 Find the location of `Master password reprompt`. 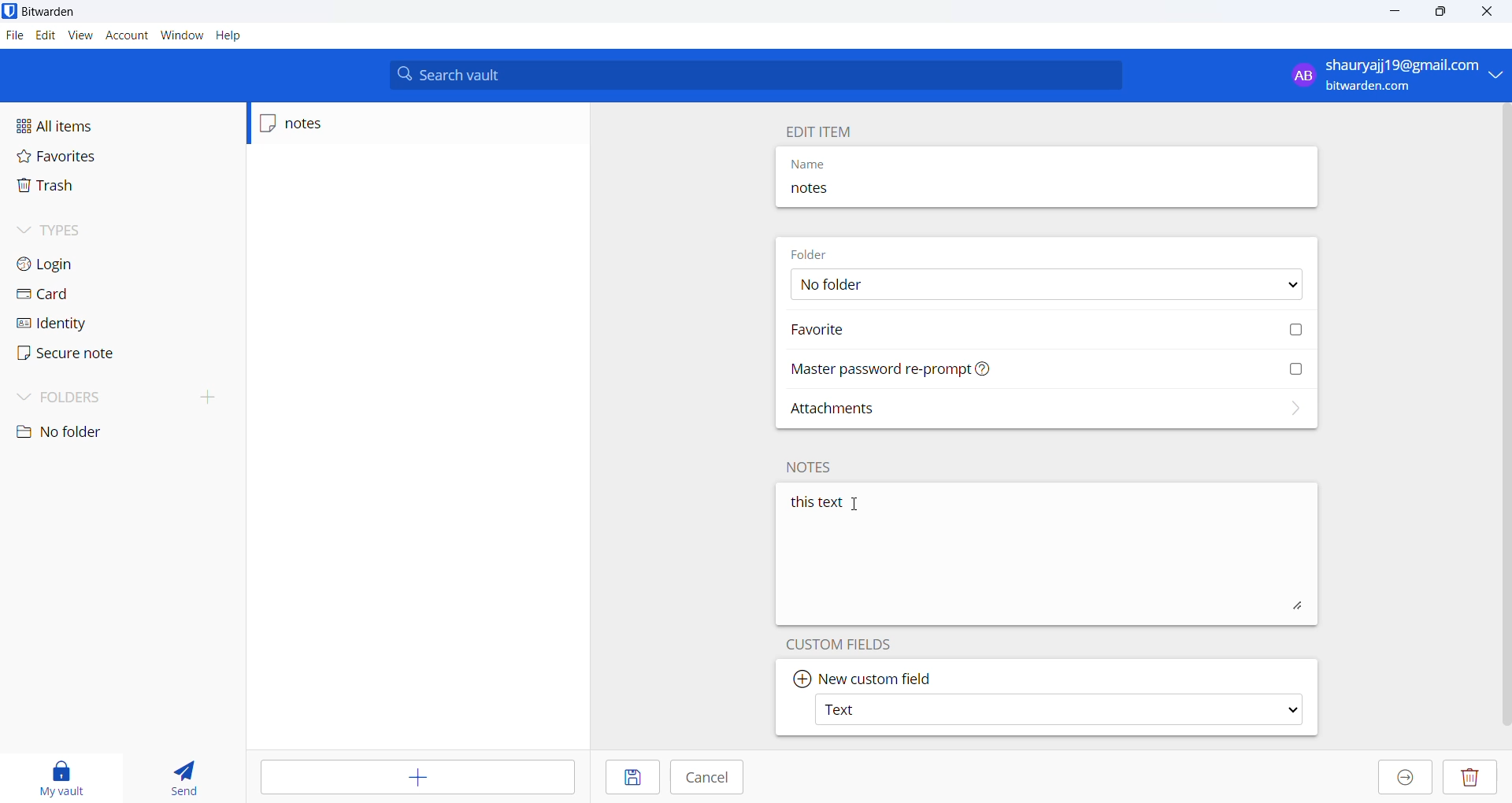

Master password reprompt is located at coordinates (1048, 369).